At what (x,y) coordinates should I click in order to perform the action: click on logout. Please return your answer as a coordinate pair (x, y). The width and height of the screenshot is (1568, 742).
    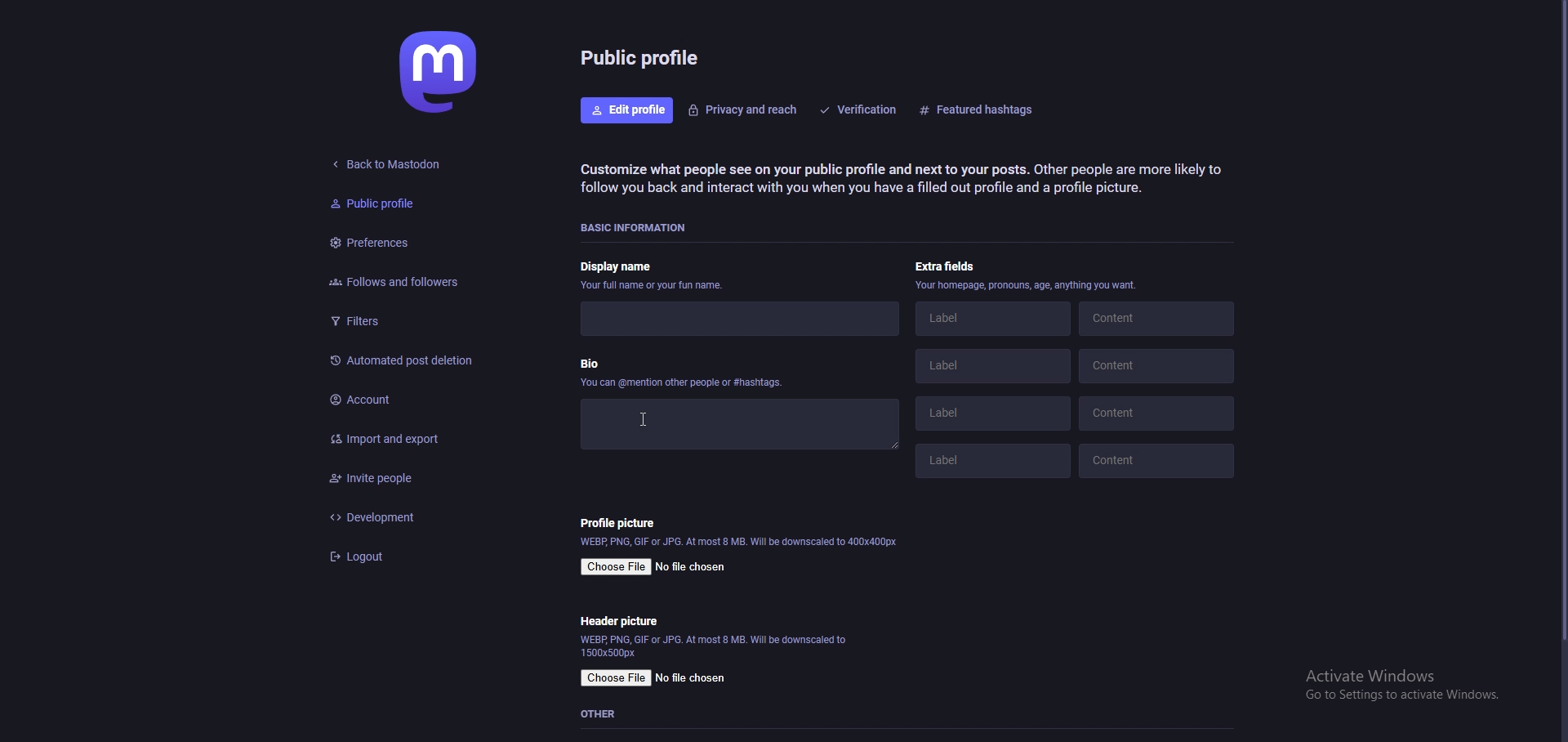
    Looking at the image, I should click on (404, 557).